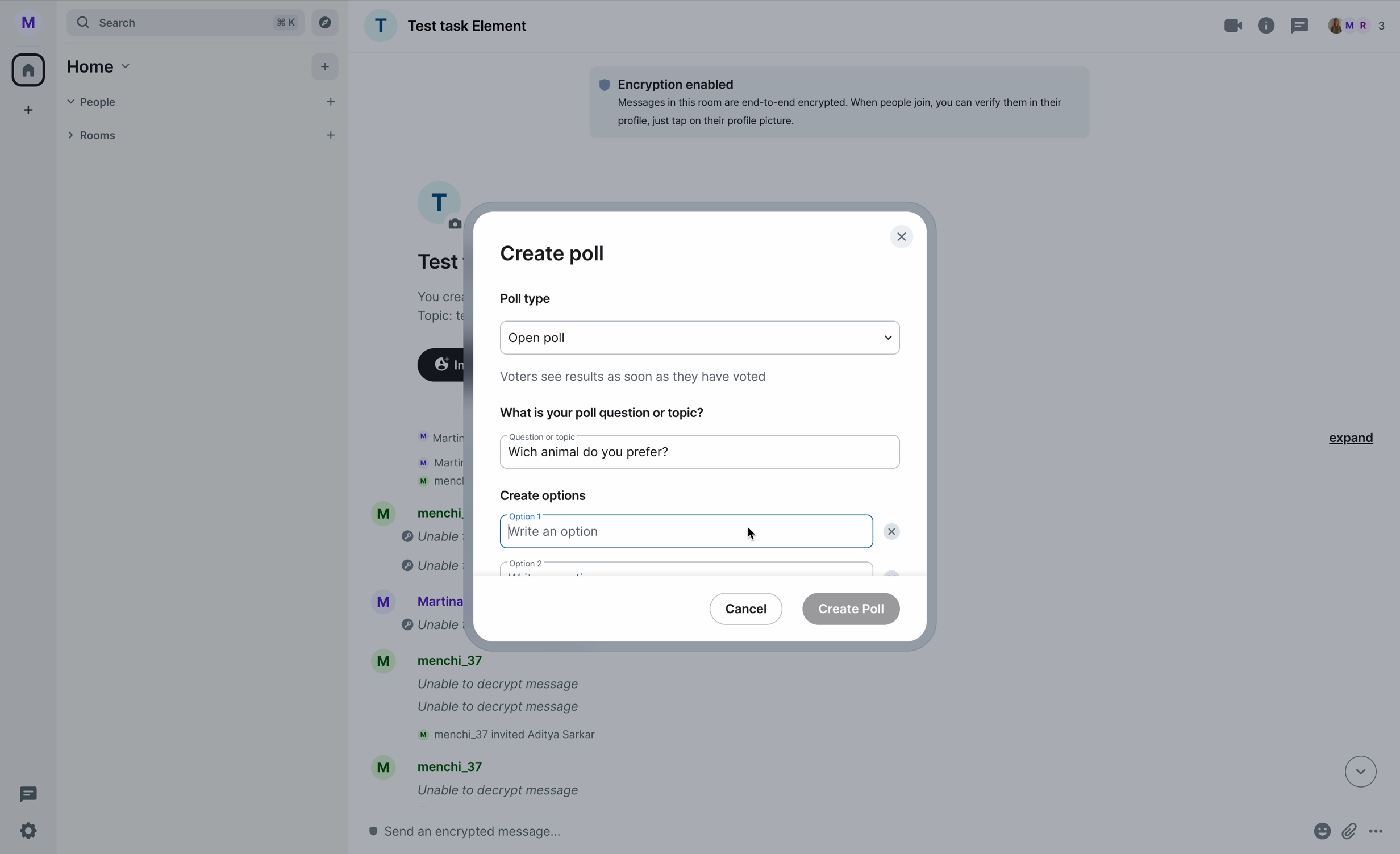 Image resolution: width=1400 pixels, height=854 pixels. I want to click on expand, so click(1347, 436).